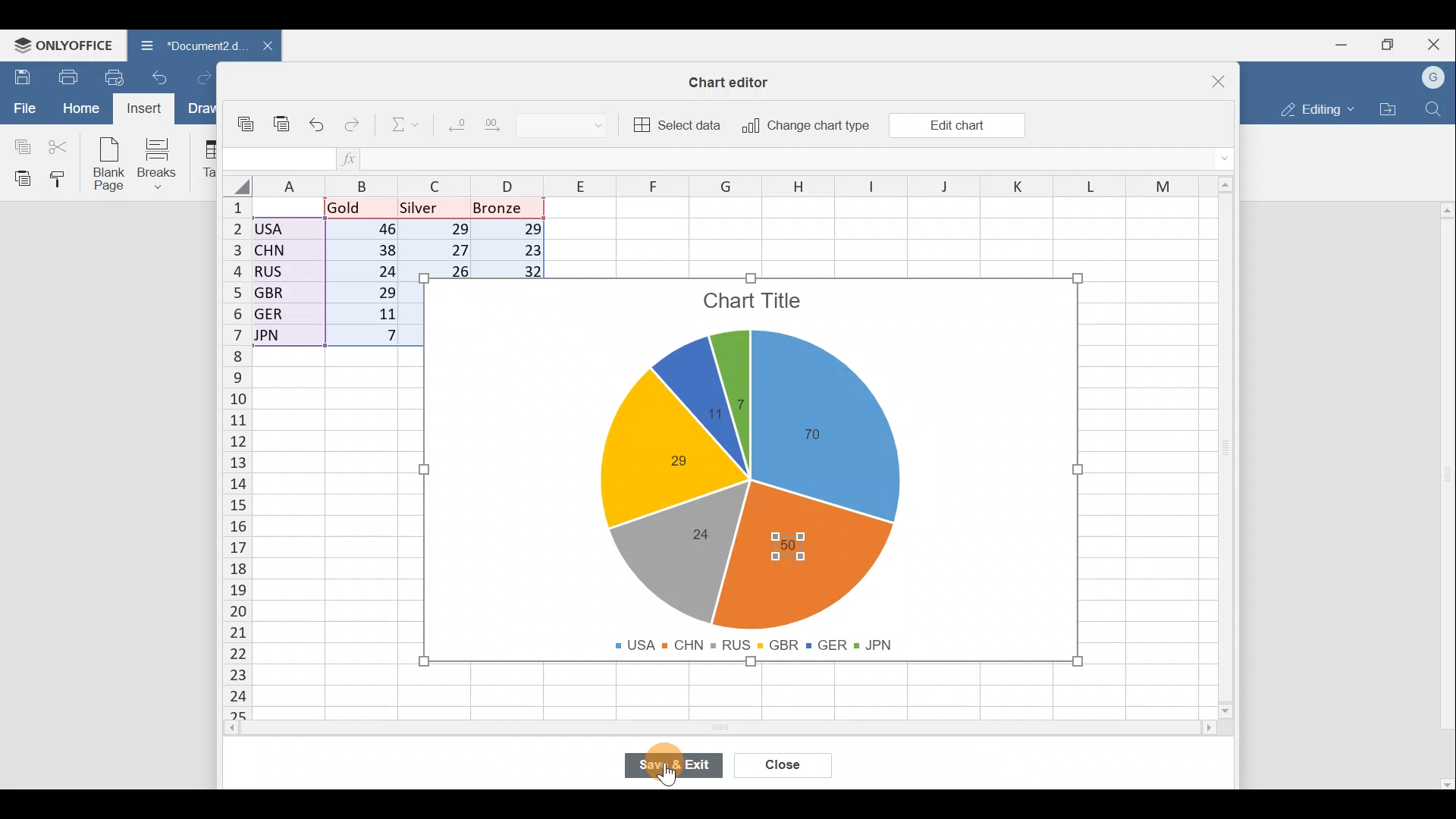  What do you see at coordinates (359, 158) in the screenshot?
I see `Insert function` at bounding box center [359, 158].